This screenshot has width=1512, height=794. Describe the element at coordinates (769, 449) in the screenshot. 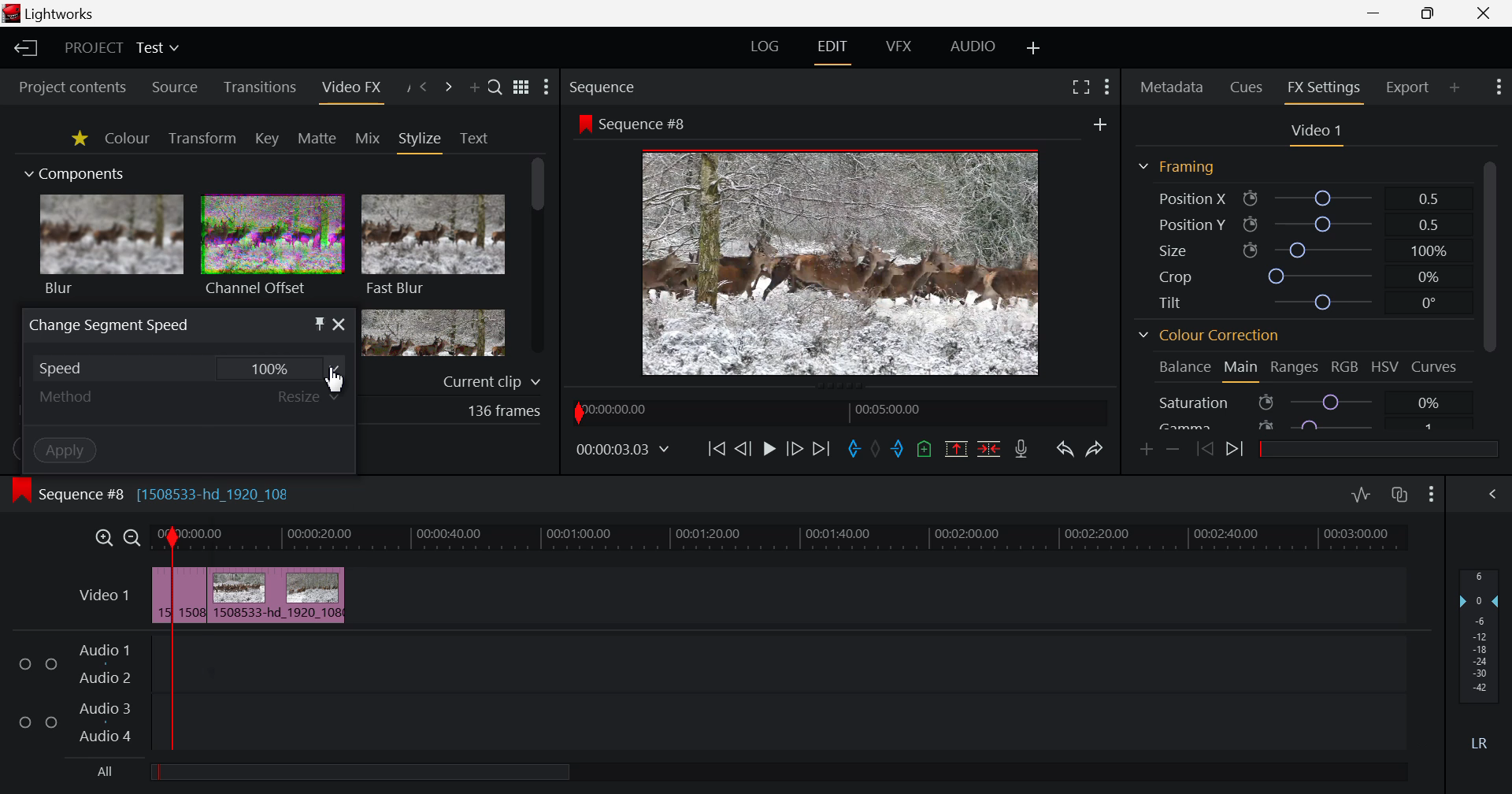

I see `Cursor on Play` at that location.